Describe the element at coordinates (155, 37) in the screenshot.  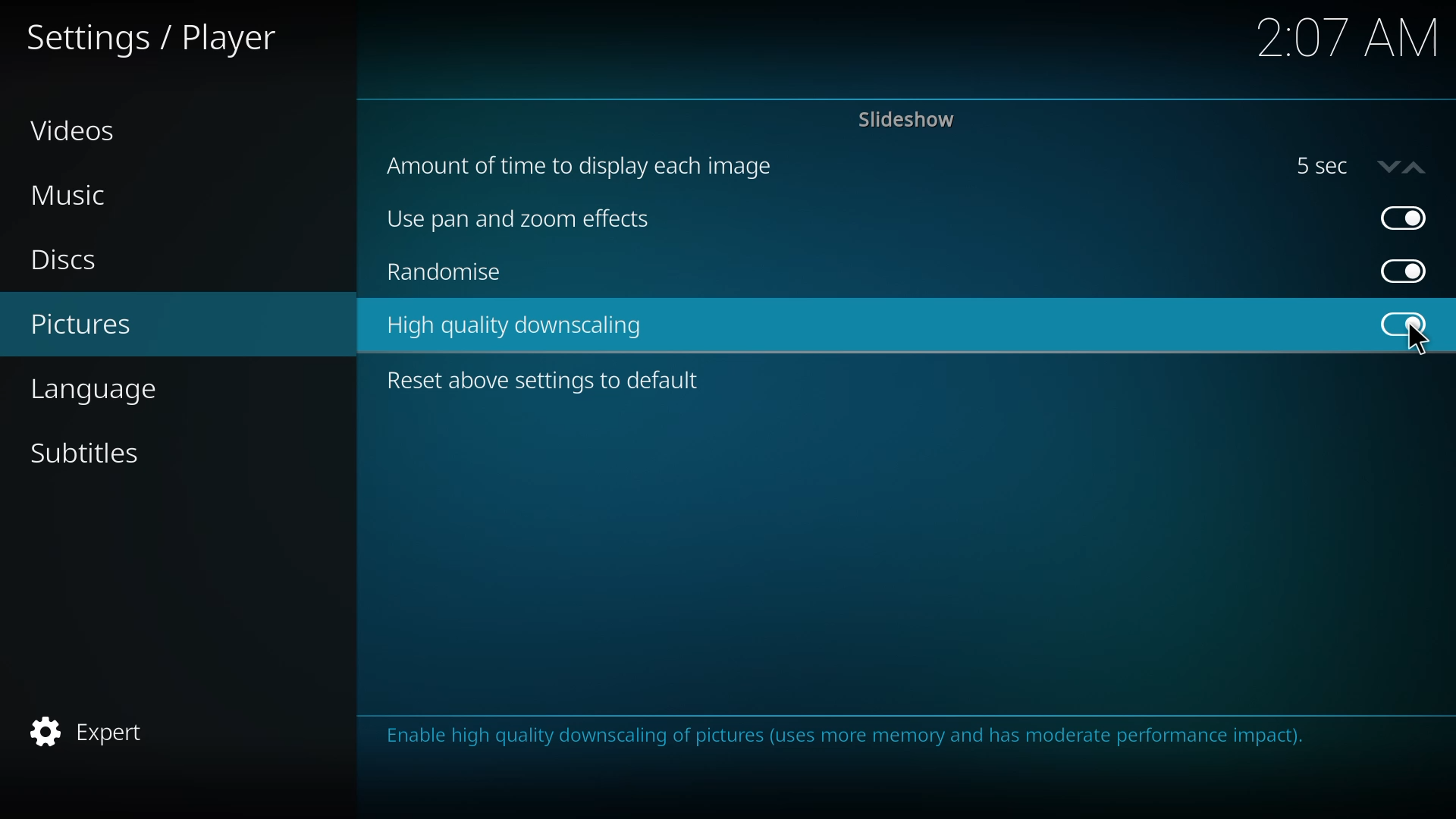
I see `settings player` at that location.